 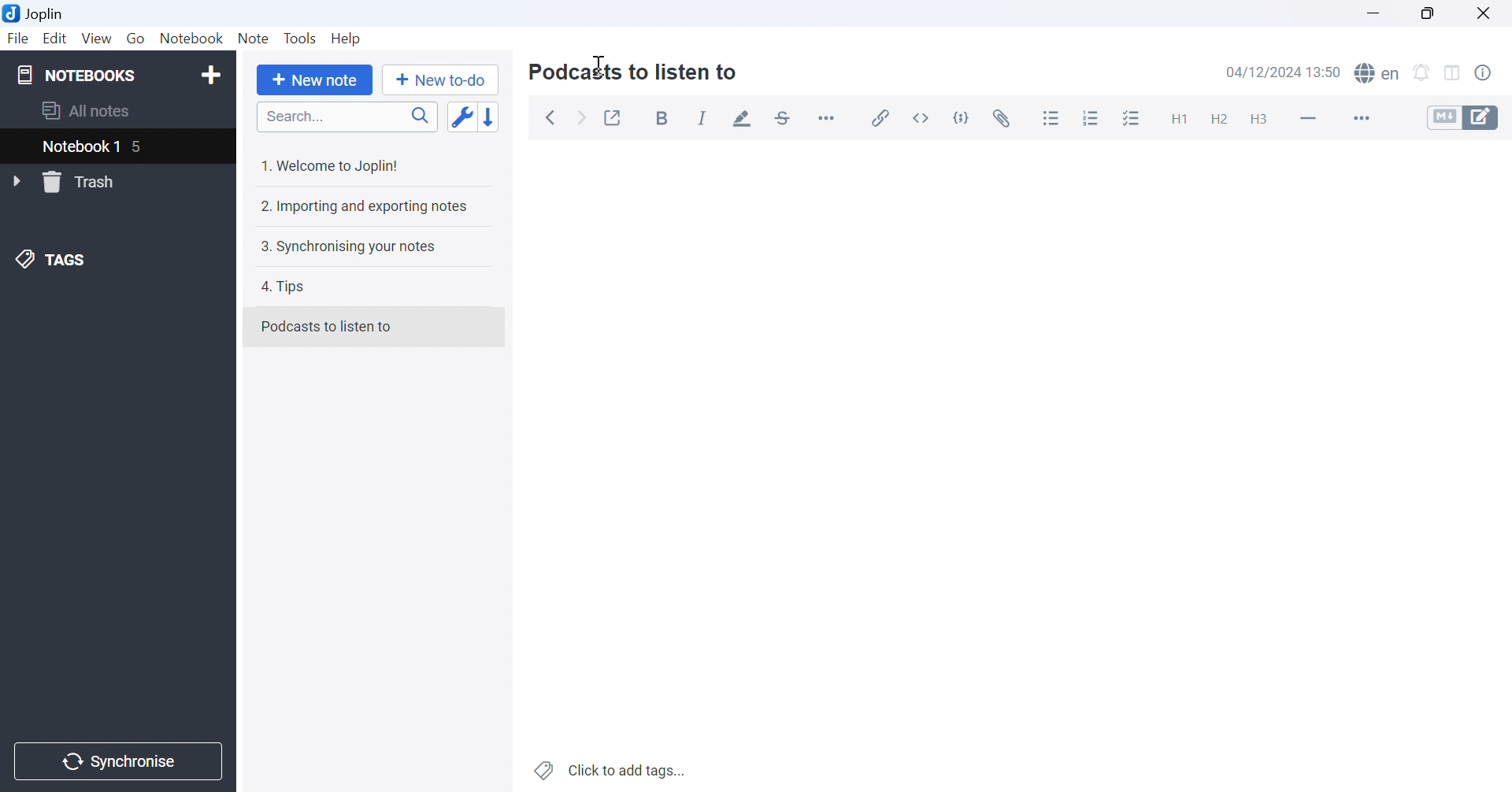 I want to click on Insert / edit code, so click(x=881, y=114).